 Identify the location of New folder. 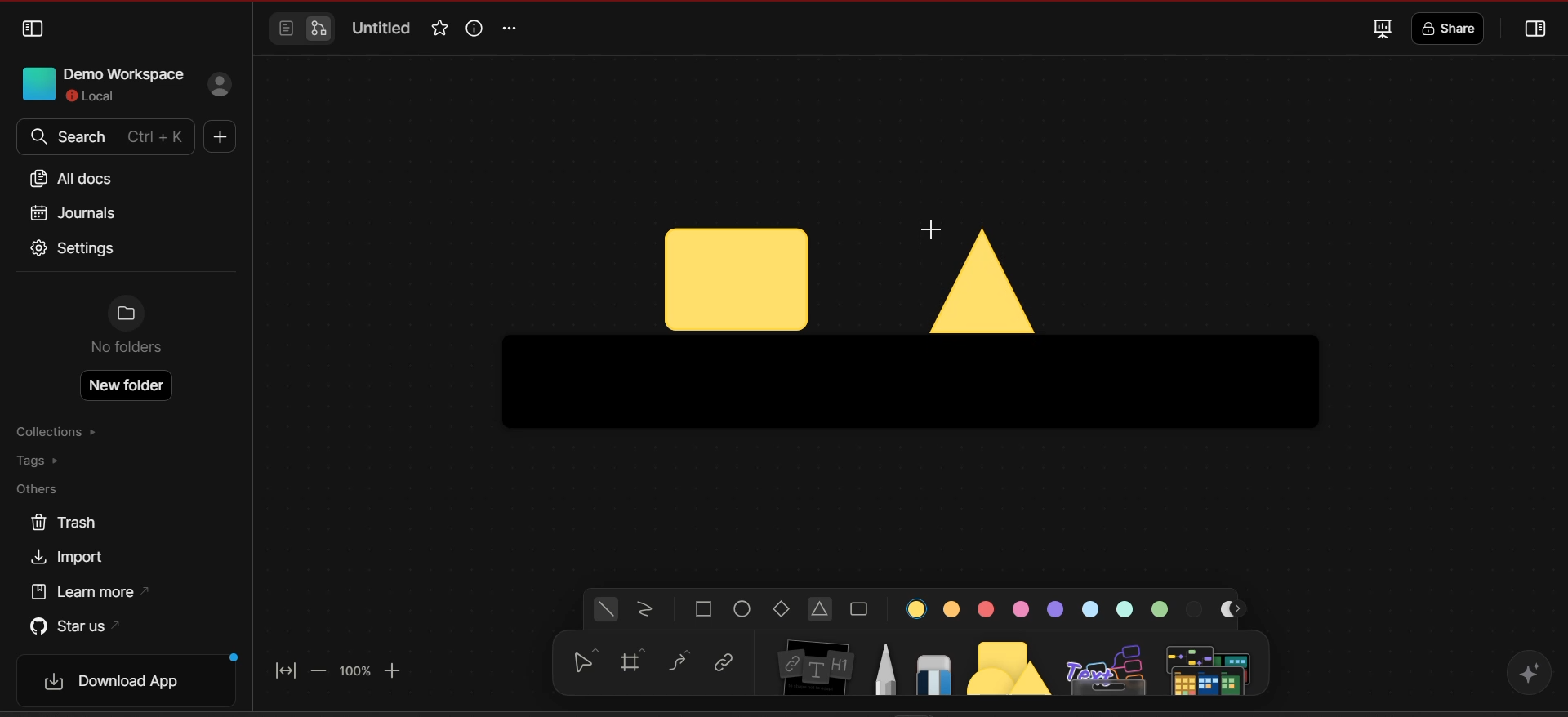
(128, 385).